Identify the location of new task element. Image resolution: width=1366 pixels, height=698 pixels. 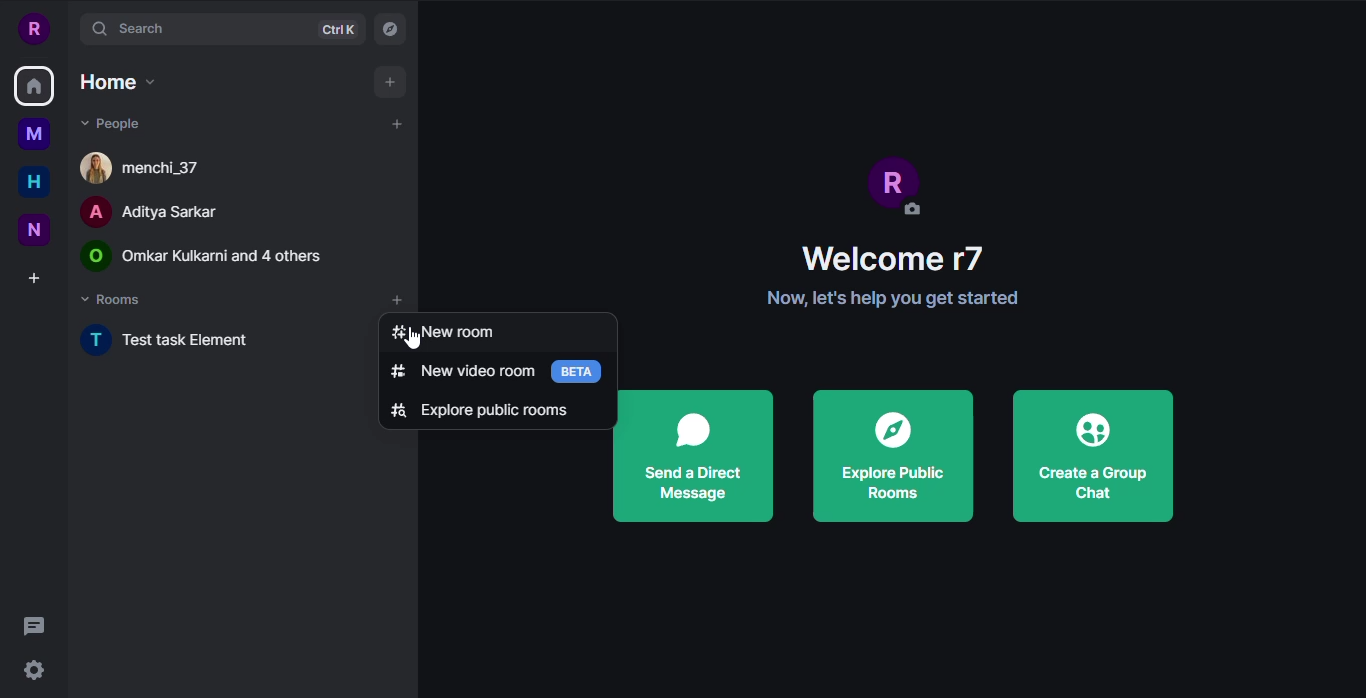
(173, 339).